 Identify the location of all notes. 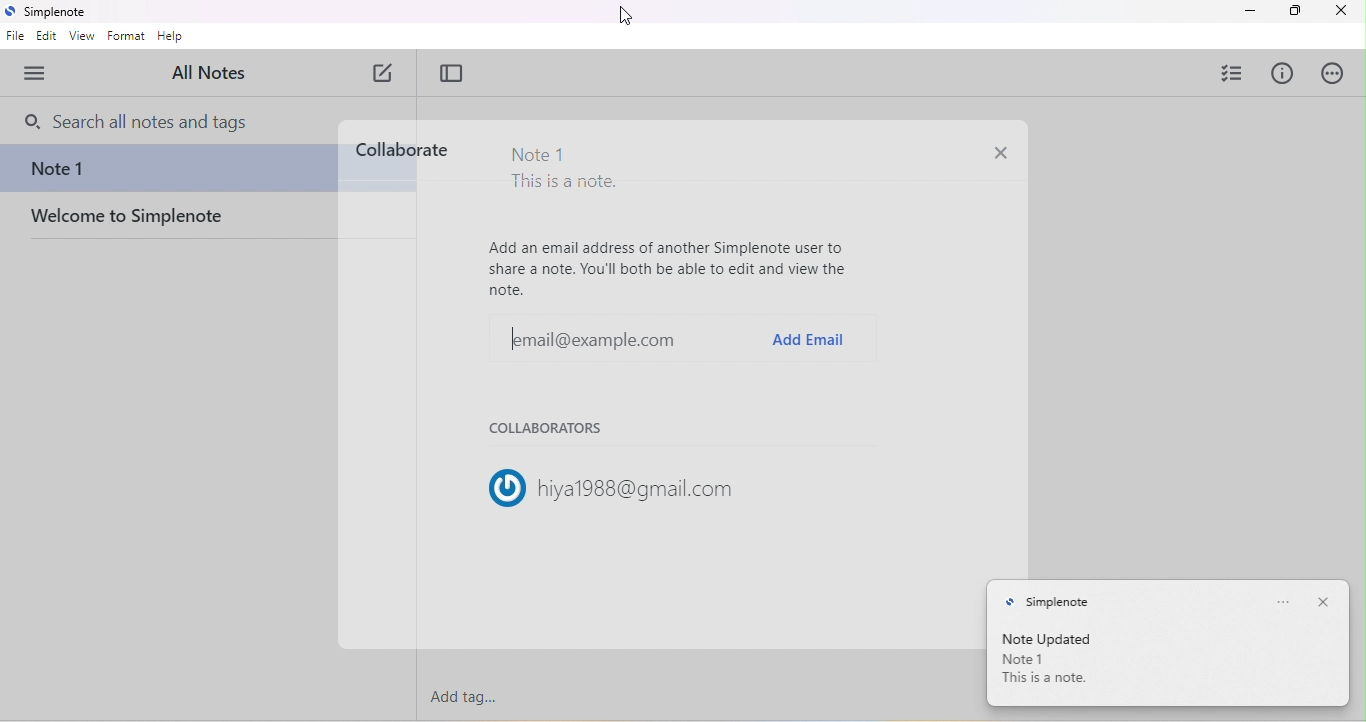
(211, 74).